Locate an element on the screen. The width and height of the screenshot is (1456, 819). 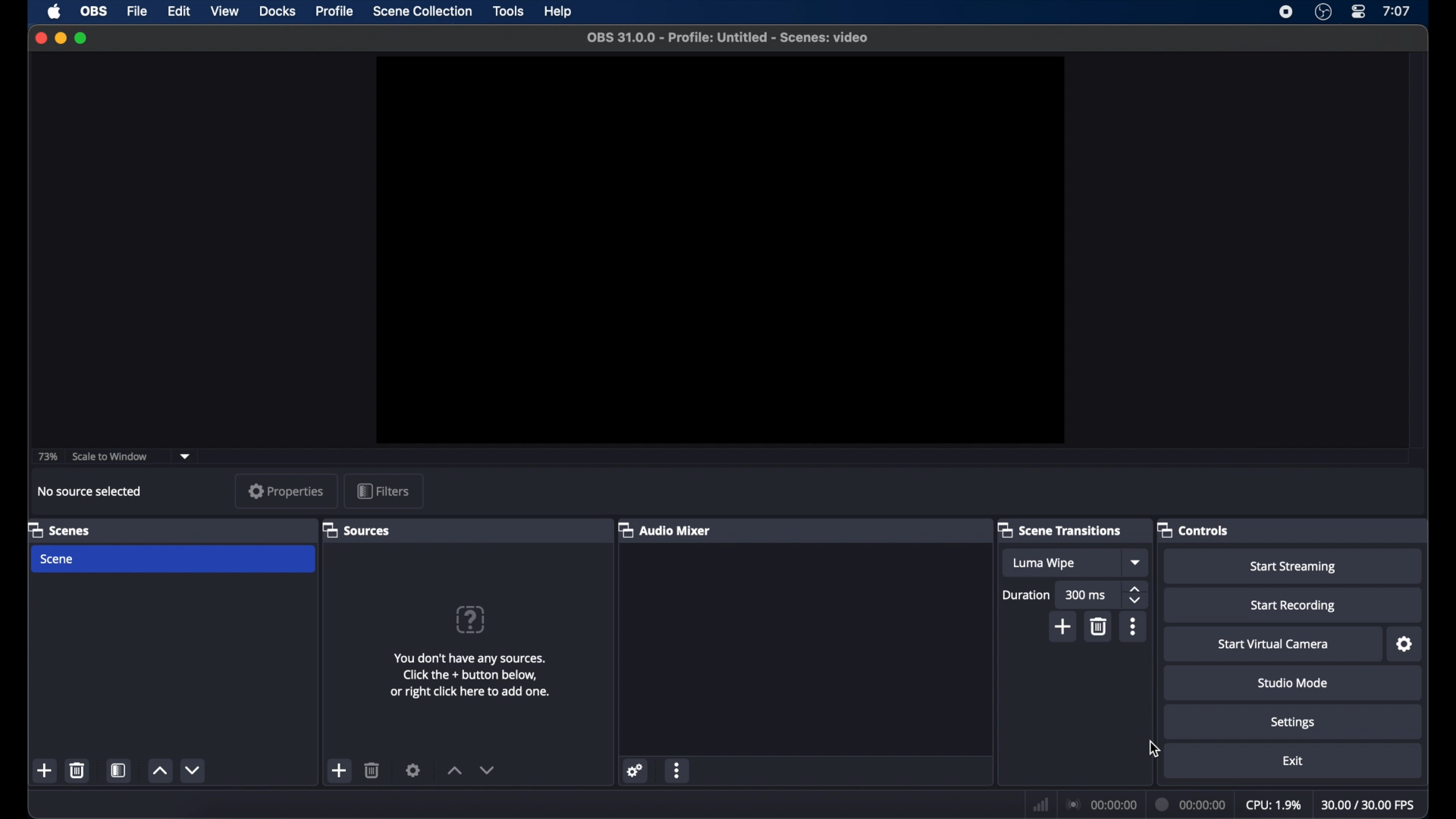
sources is located at coordinates (356, 529).